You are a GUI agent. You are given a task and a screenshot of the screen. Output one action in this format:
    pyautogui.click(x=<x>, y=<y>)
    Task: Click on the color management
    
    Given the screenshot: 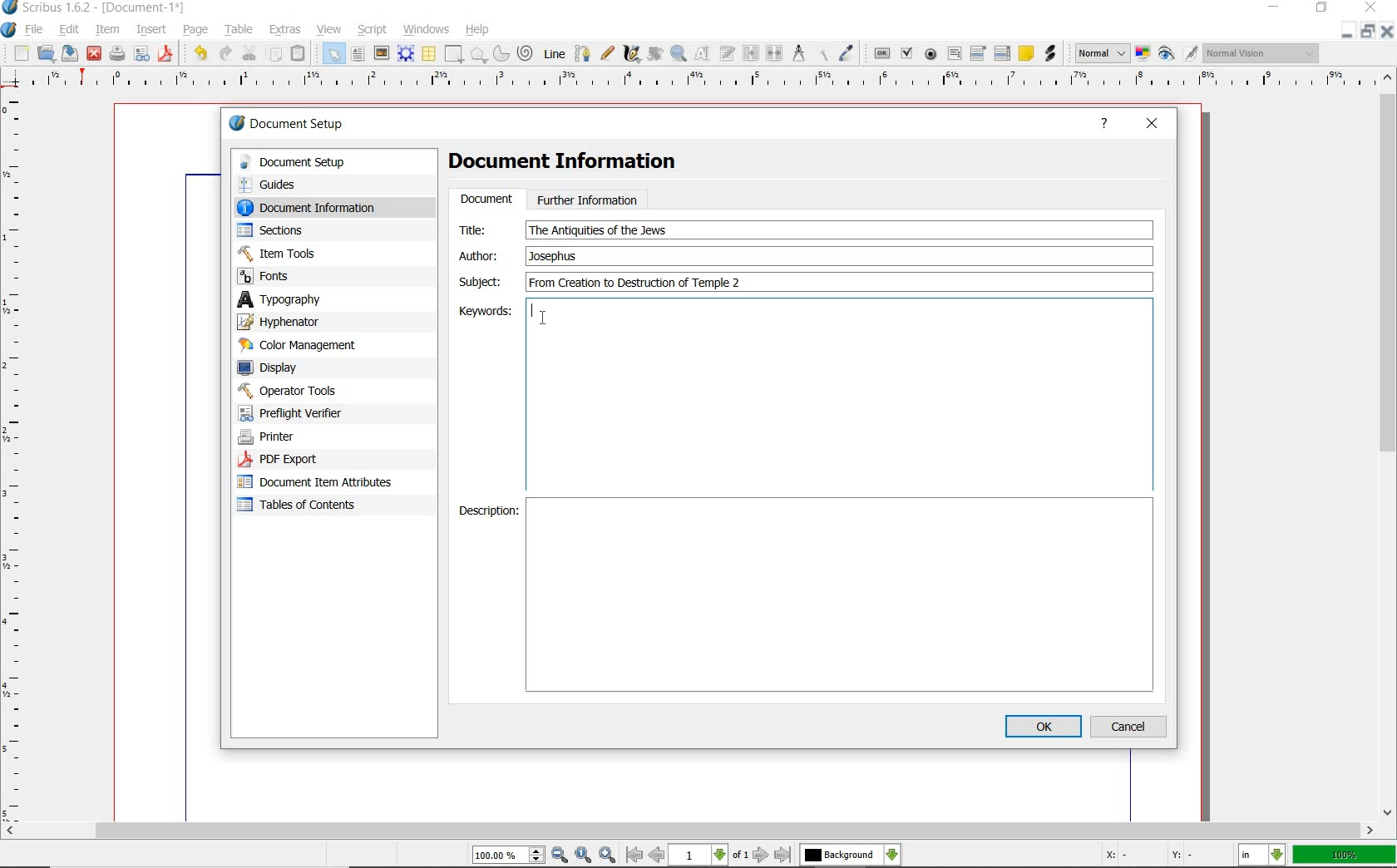 What is the action you would take?
    pyautogui.click(x=301, y=345)
    